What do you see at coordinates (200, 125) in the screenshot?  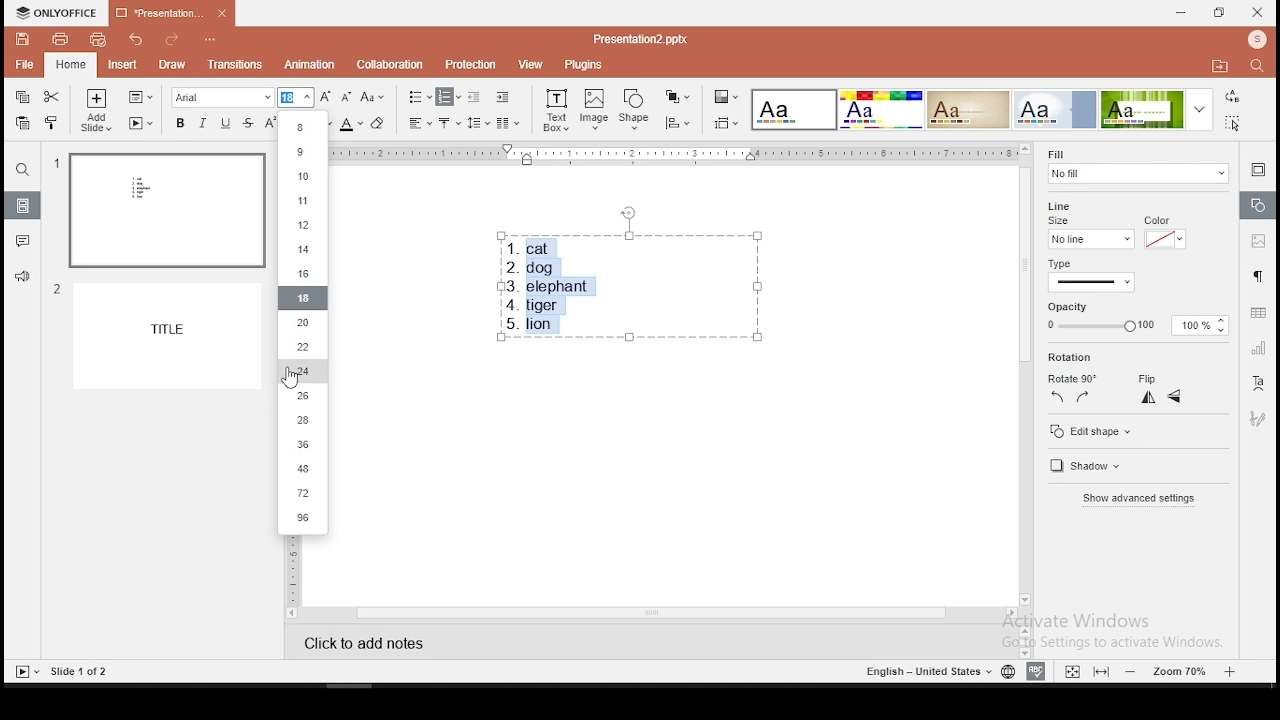 I see `italics` at bounding box center [200, 125].